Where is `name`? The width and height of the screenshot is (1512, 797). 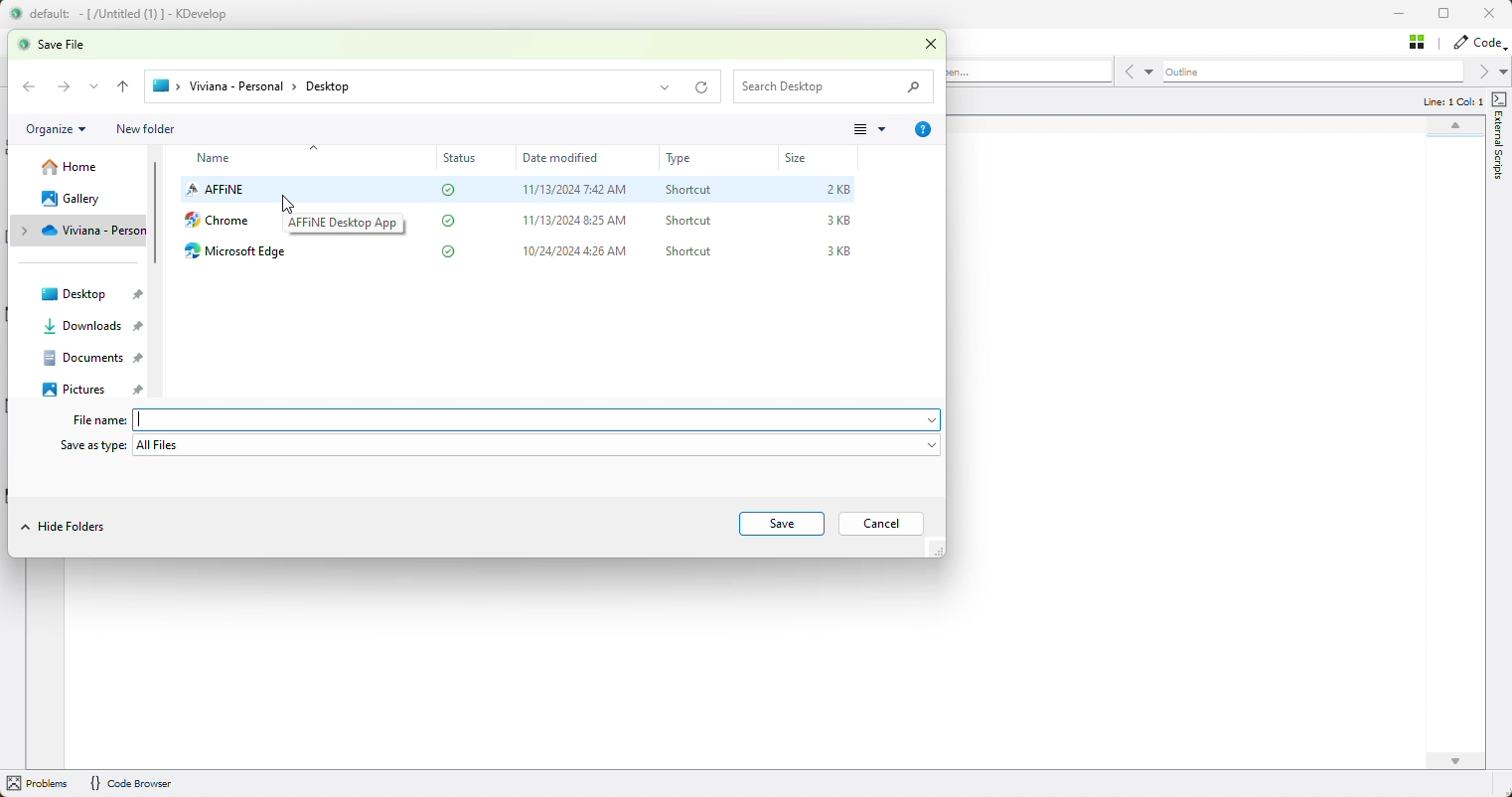 name is located at coordinates (223, 159).